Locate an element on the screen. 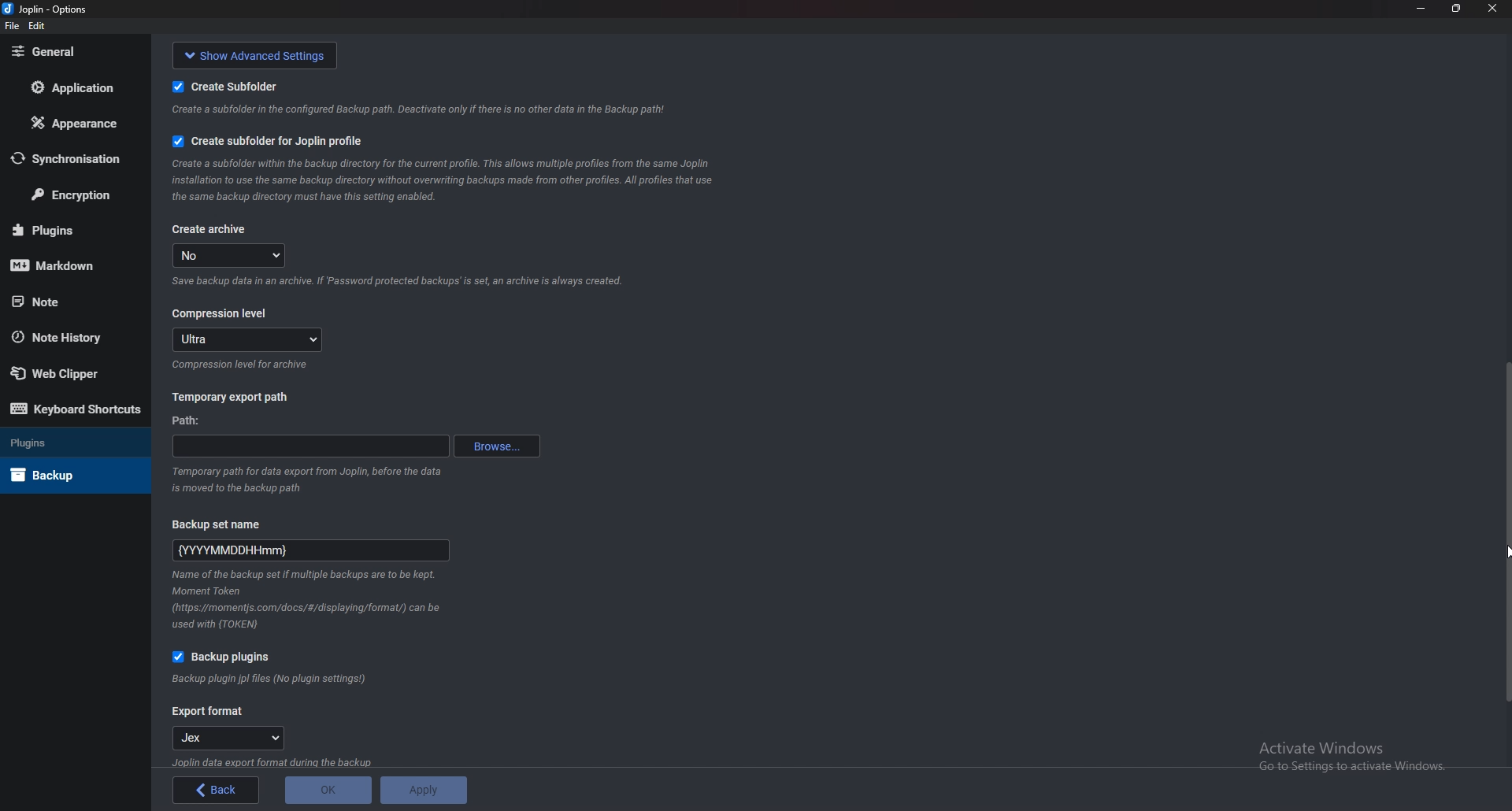  Scroll bar is located at coordinates (1506, 554).